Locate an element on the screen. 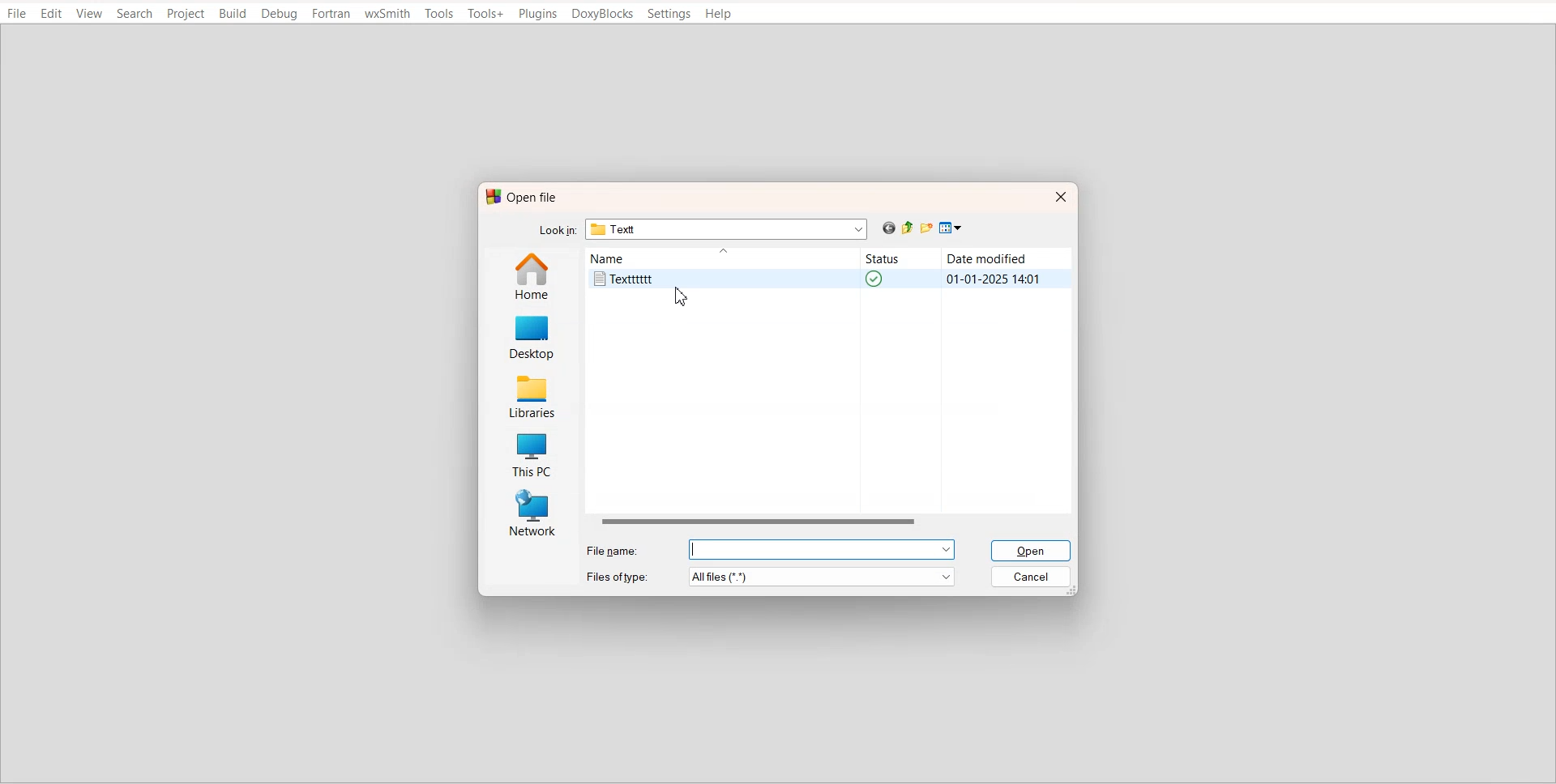 This screenshot has height=784, width=1556. Close is located at coordinates (1062, 198).